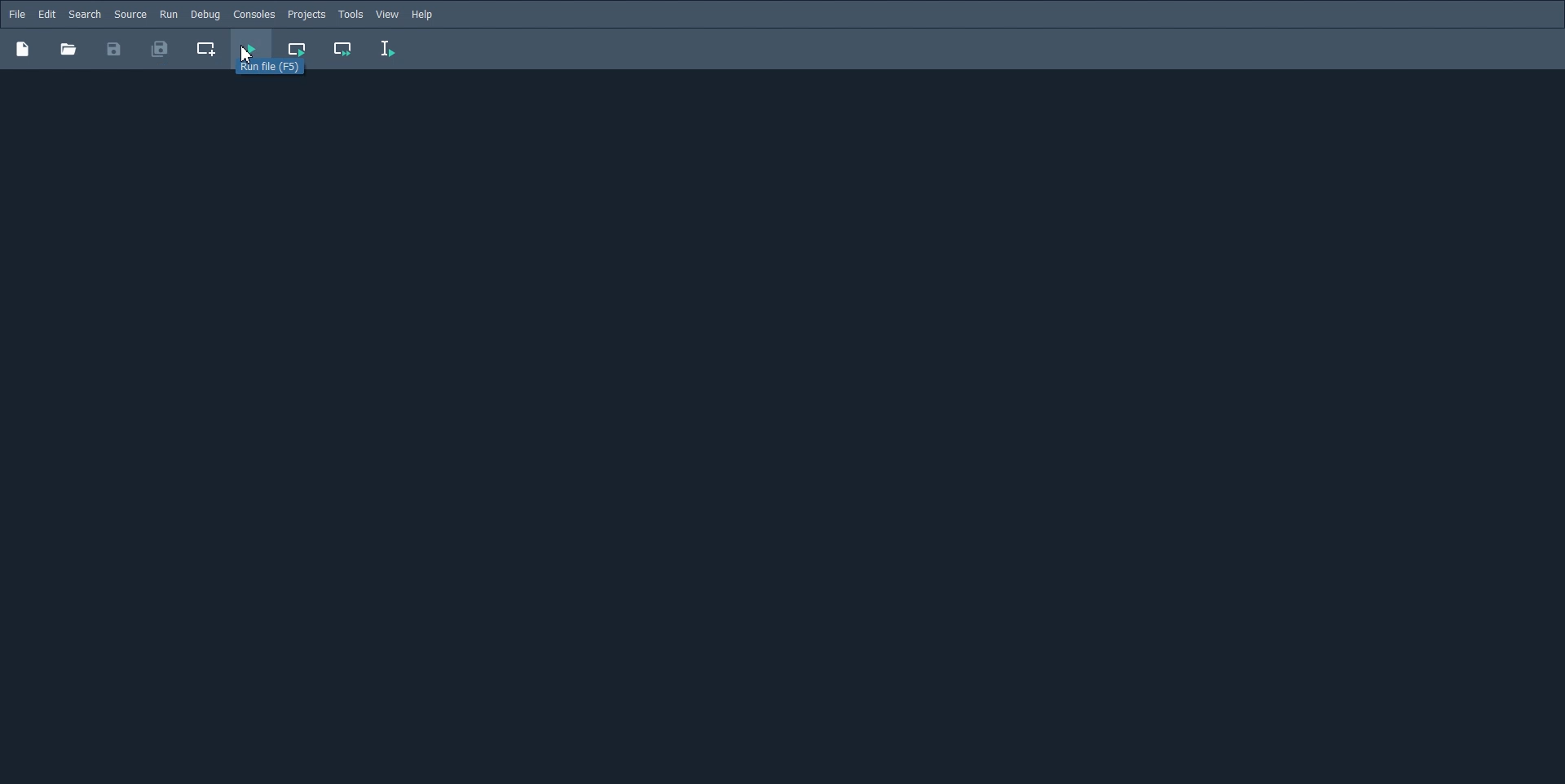 Image resolution: width=1565 pixels, height=784 pixels. I want to click on Edit, so click(46, 15).